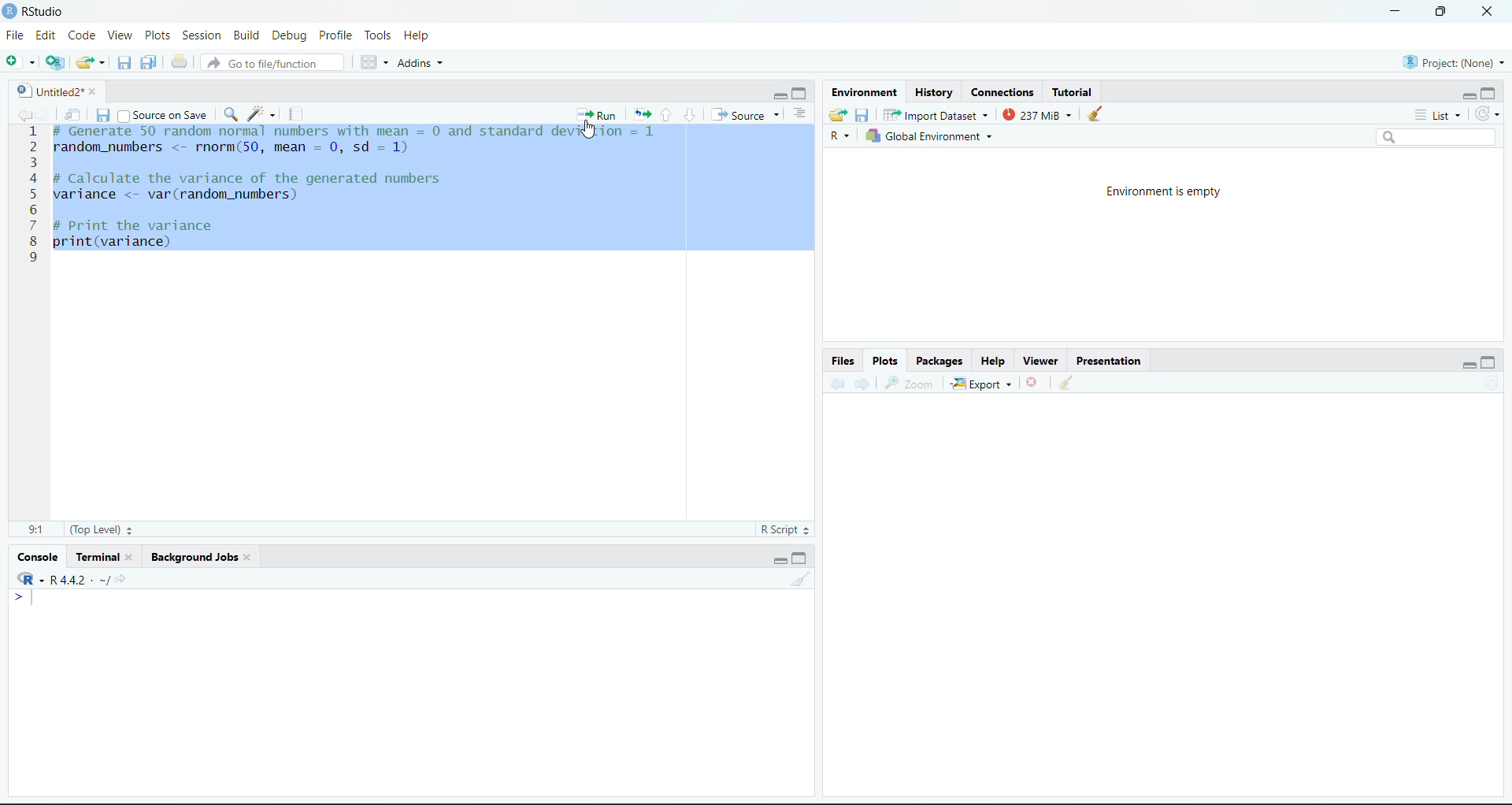 Image resolution: width=1512 pixels, height=805 pixels. I want to click on up, so click(666, 115).